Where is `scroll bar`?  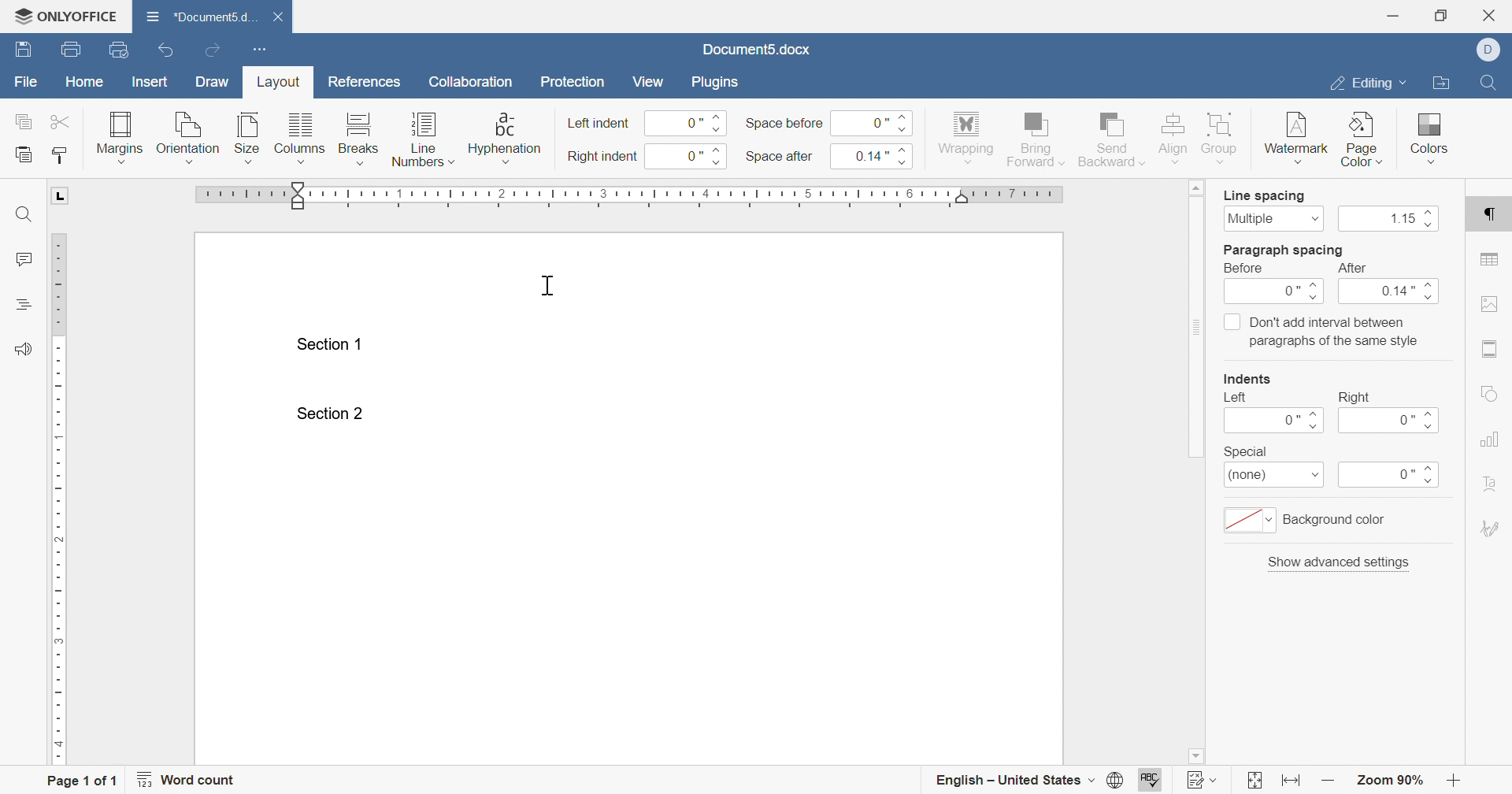 scroll bar is located at coordinates (1198, 319).